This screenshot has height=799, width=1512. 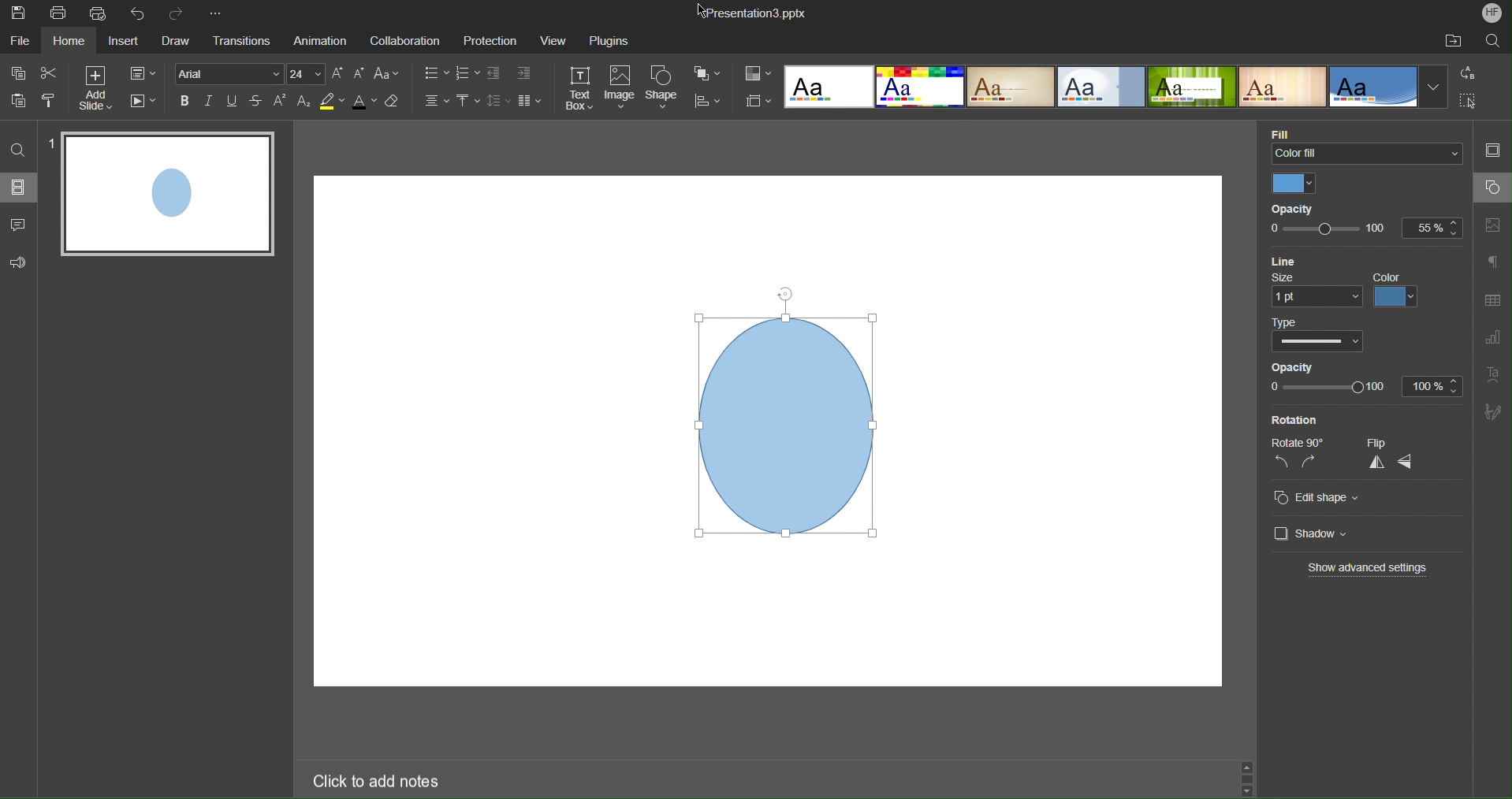 What do you see at coordinates (1368, 155) in the screenshot?
I see `Color fill` at bounding box center [1368, 155].